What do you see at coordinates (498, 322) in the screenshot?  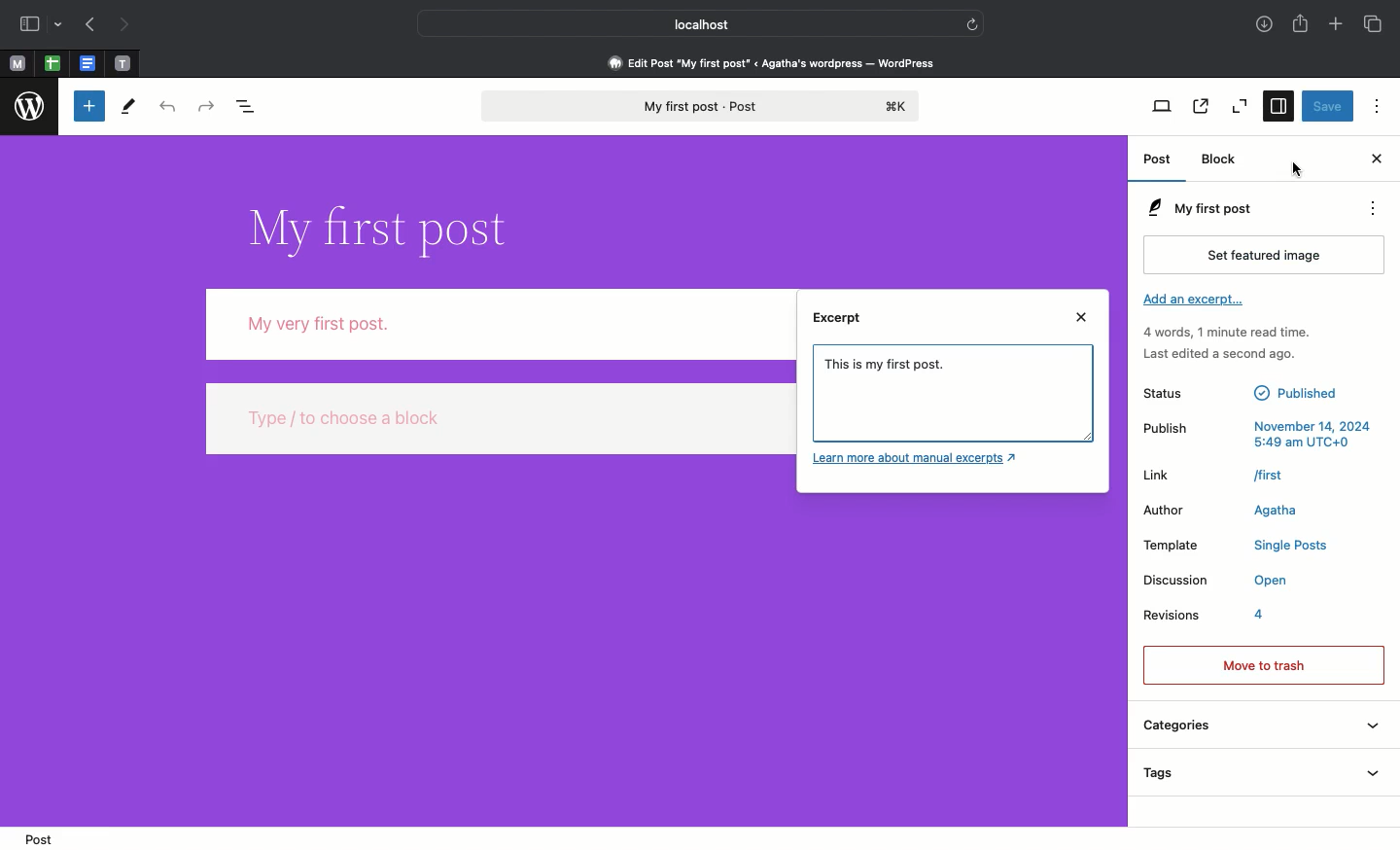 I see `My very first post.` at bounding box center [498, 322].